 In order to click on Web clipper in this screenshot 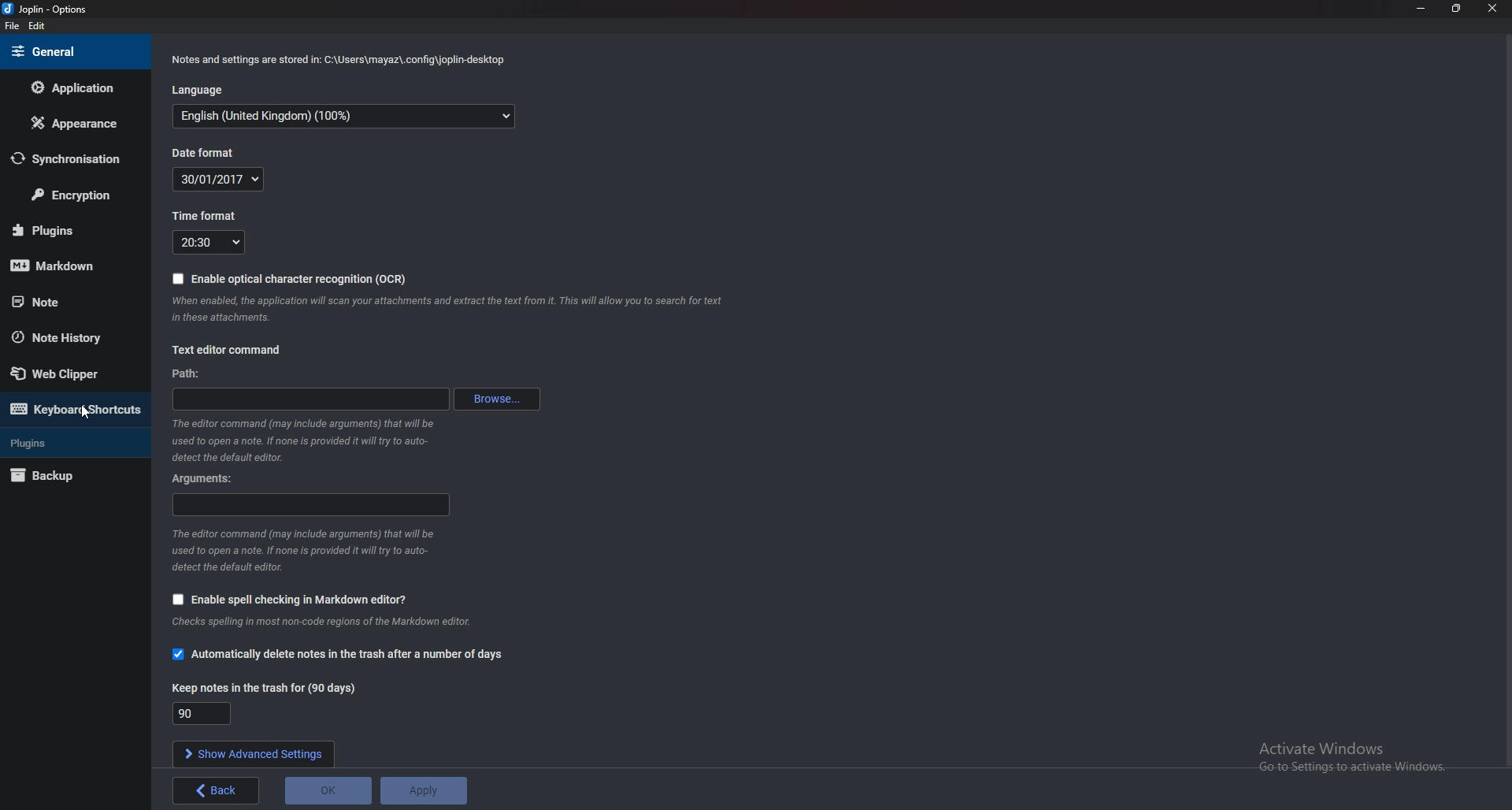, I will do `click(74, 373)`.